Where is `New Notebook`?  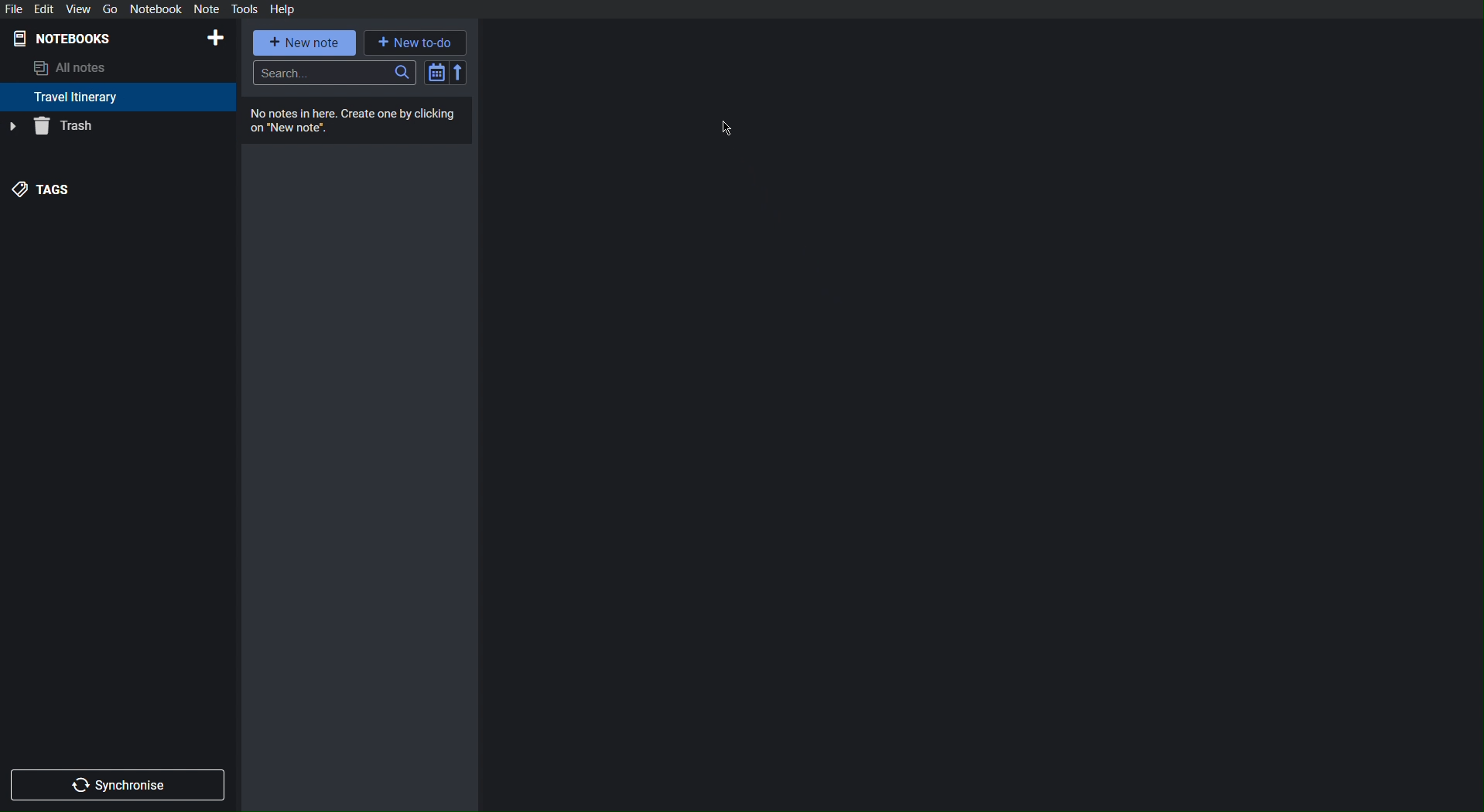
New Notebook is located at coordinates (214, 38).